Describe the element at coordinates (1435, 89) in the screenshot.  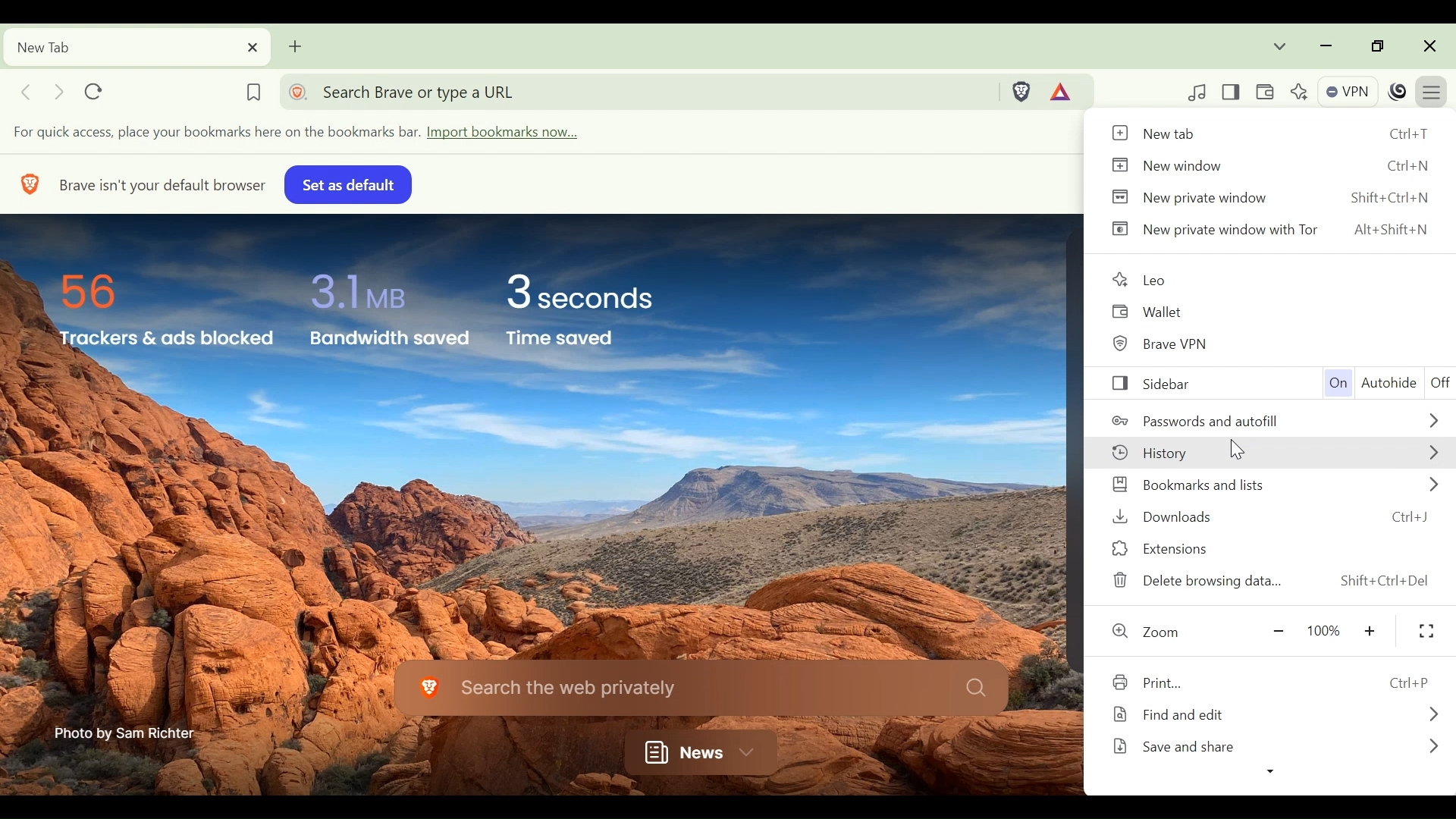
I see `Customize and control Brave` at that location.